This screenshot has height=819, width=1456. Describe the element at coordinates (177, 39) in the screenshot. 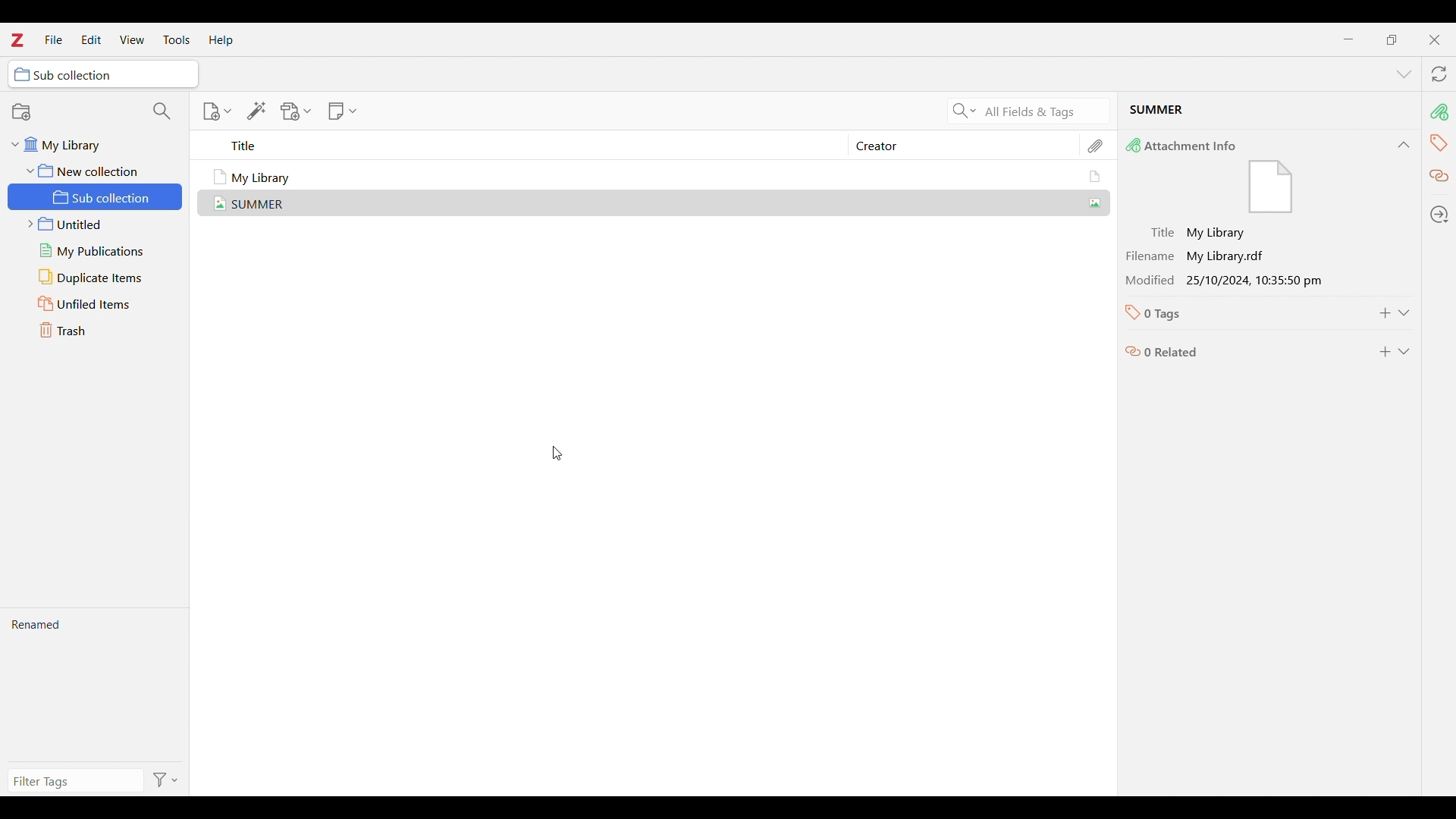

I see `Tools menu` at that location.